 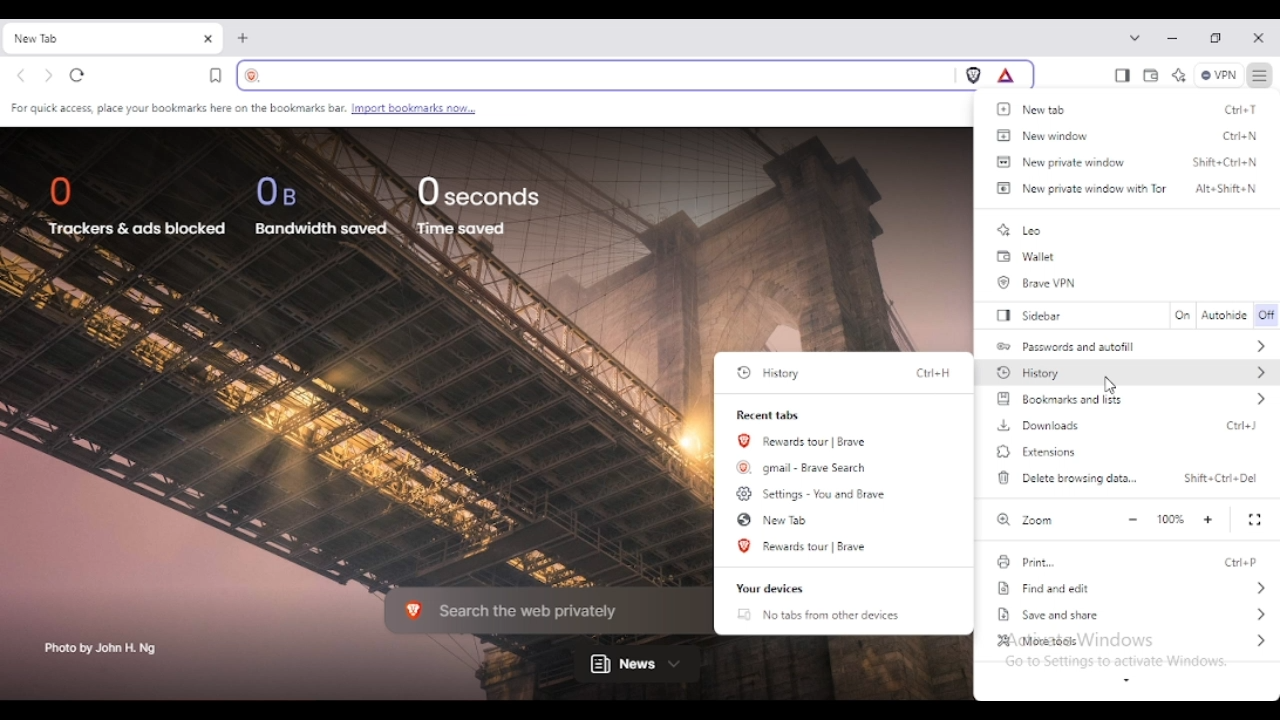 I want to click on brave shields, so click(x=974, y=75).